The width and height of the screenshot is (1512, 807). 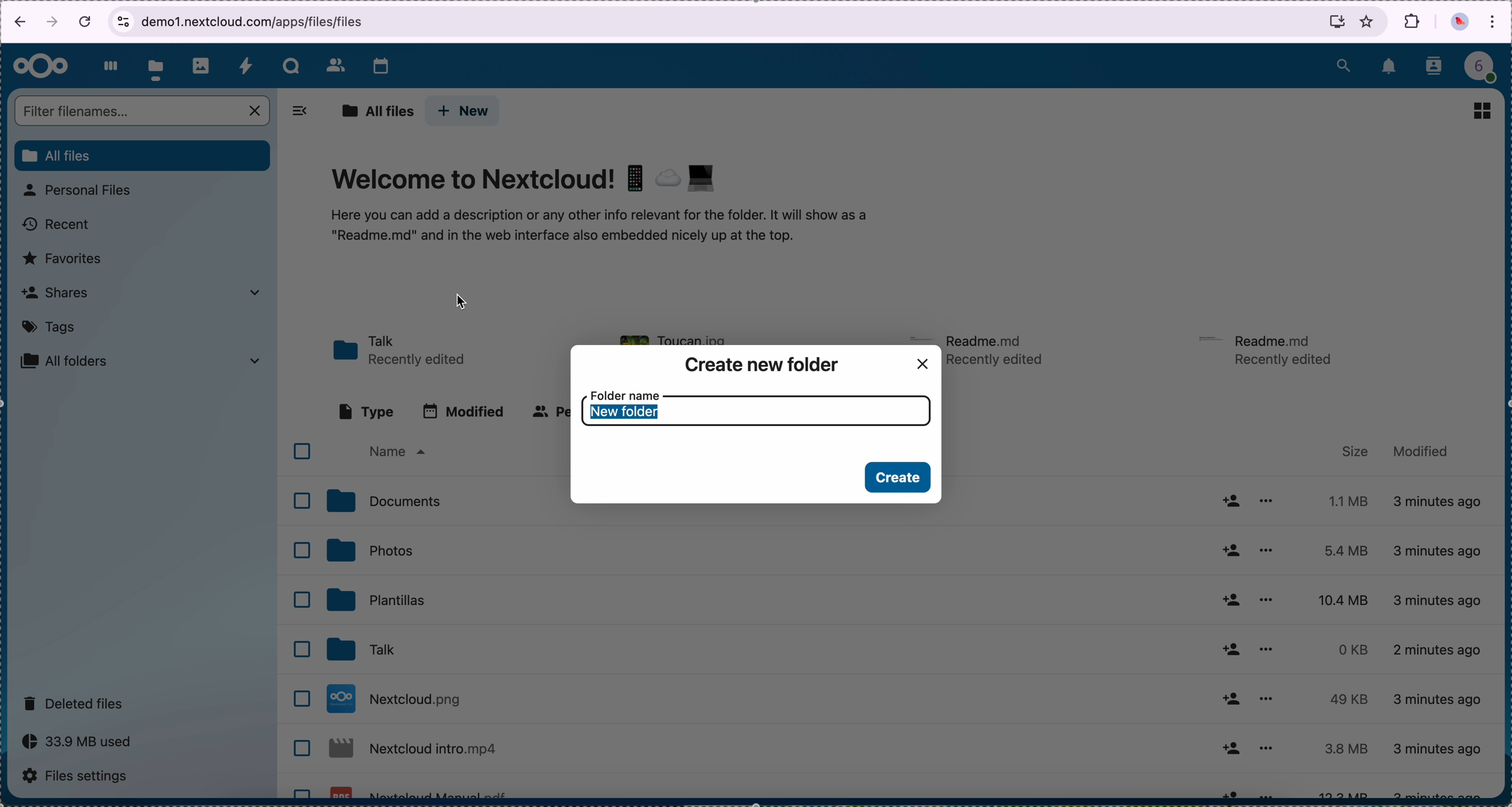 What do you see at coordinates (383, 501) in the screenshot?
I see `documents` at bounding box center [383, 501].